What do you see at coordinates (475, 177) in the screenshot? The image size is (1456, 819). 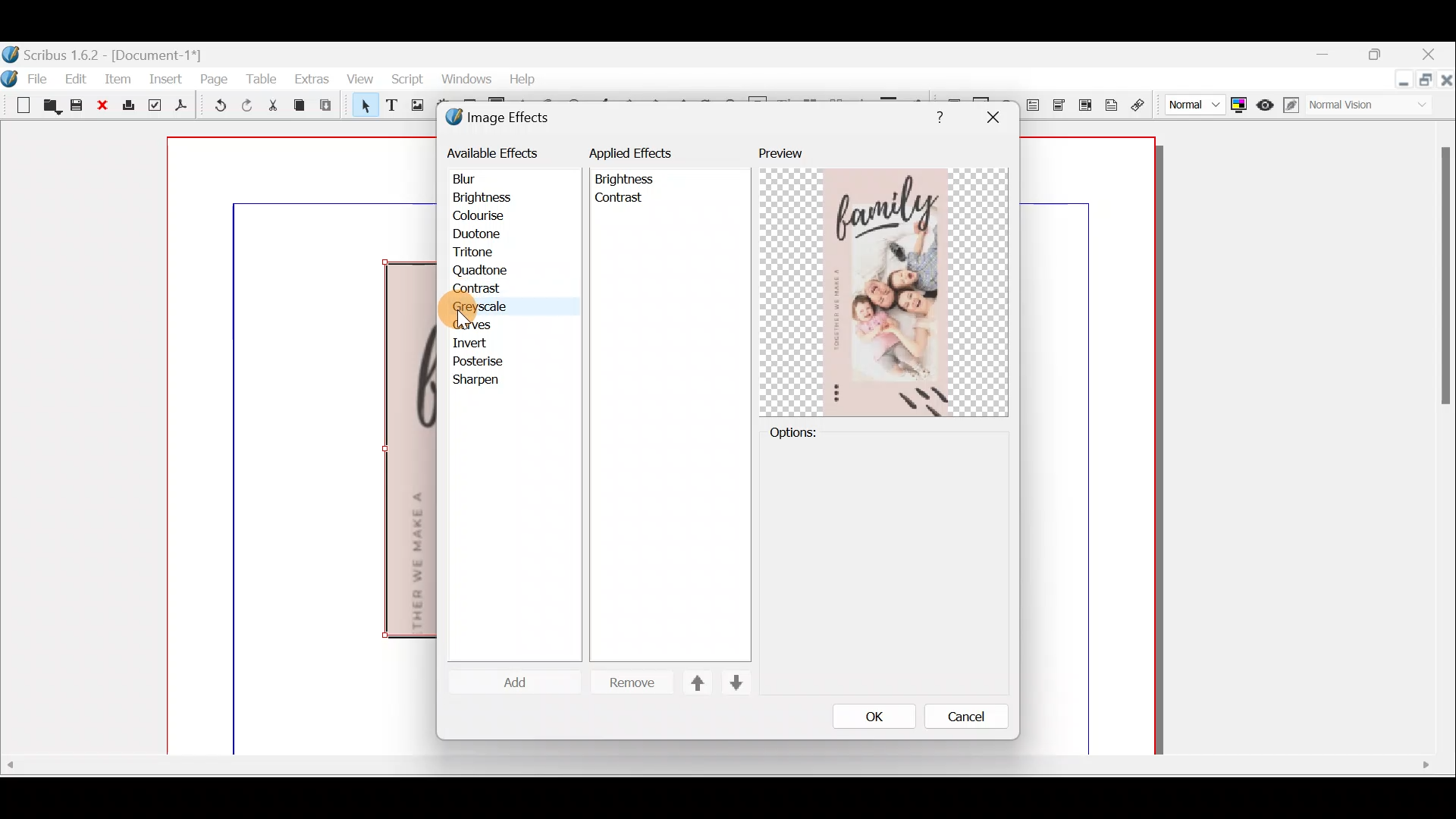 I see `blur` at bounding box center [475, 177].